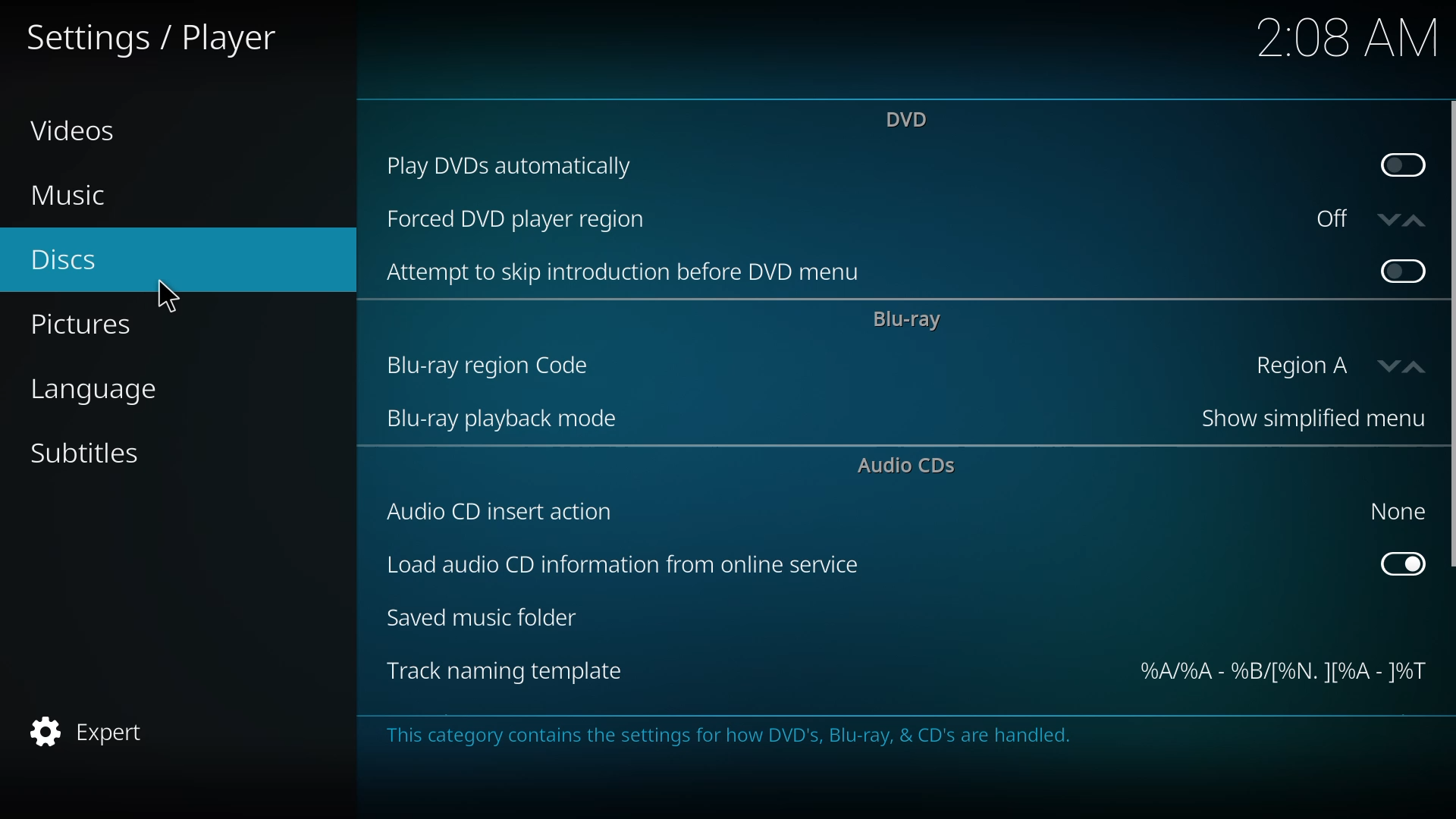  Describe the element at coordinates (911, 118) in the screenshot. I see `dvd` at that location.